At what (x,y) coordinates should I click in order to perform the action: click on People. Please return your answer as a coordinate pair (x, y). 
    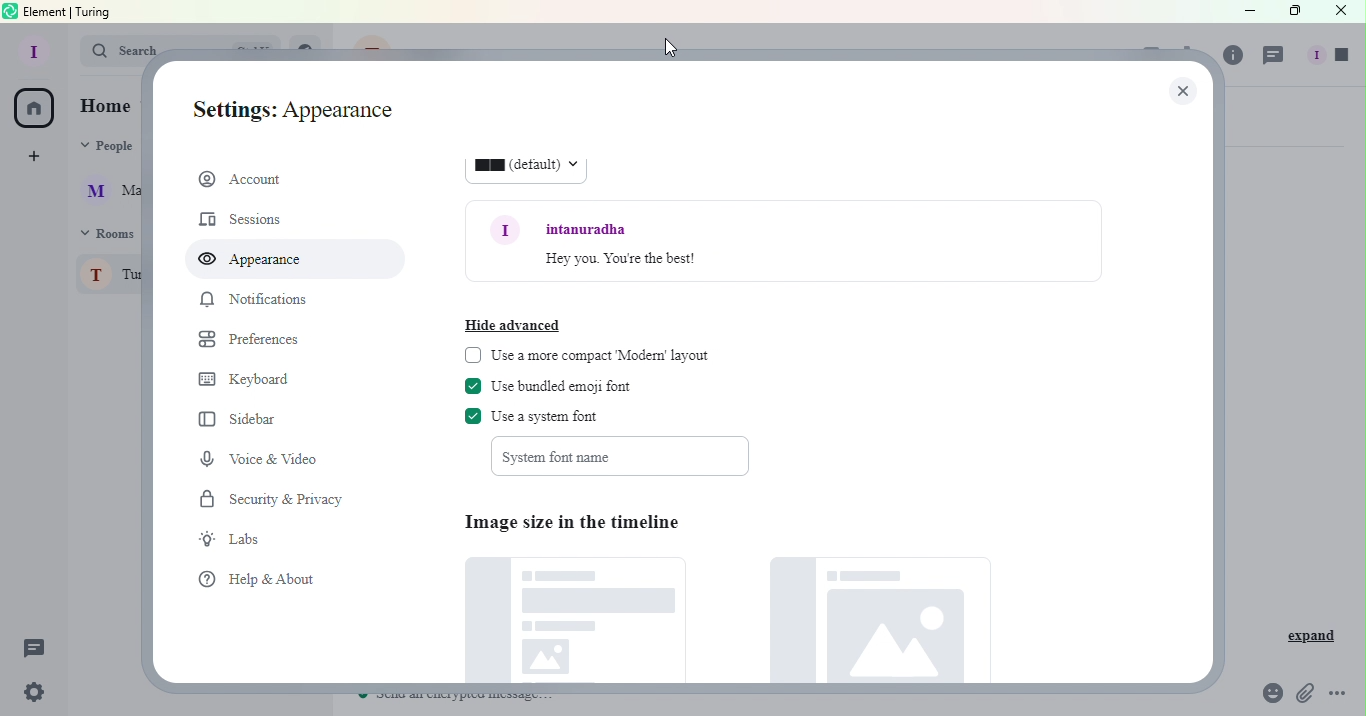
    Looking at the image, I should click on (109, 148).